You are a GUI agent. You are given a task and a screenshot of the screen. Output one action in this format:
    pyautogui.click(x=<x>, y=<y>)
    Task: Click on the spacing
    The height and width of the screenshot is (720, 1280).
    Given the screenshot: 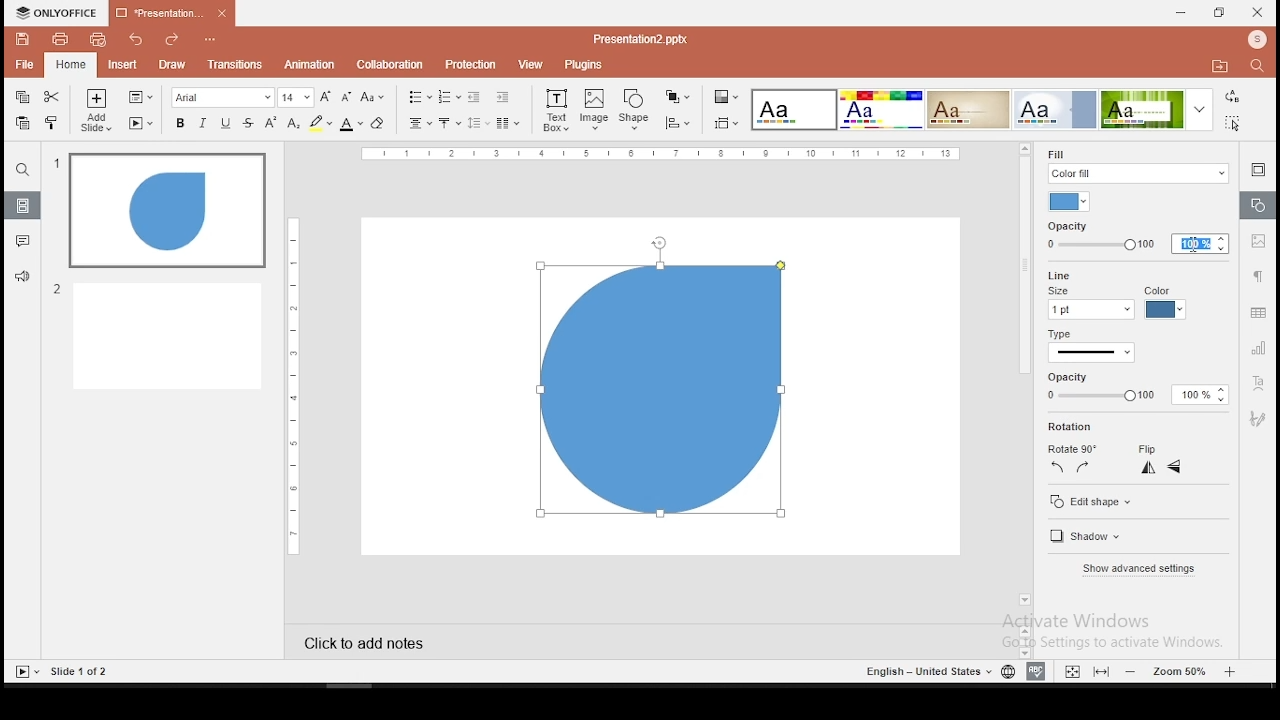 What is the action you would take?
    pyautogui.click(x=477, y=122)
    